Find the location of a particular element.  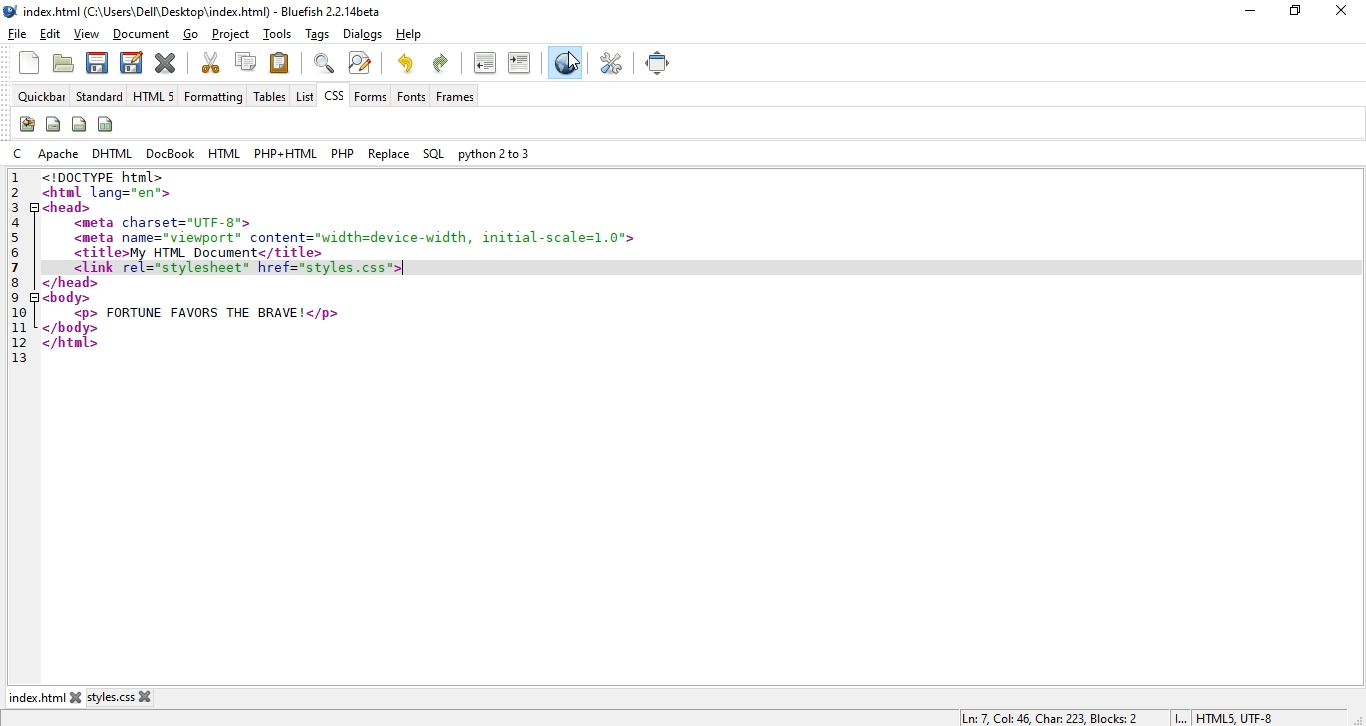

html 5 is located at coordinates (154, 97).